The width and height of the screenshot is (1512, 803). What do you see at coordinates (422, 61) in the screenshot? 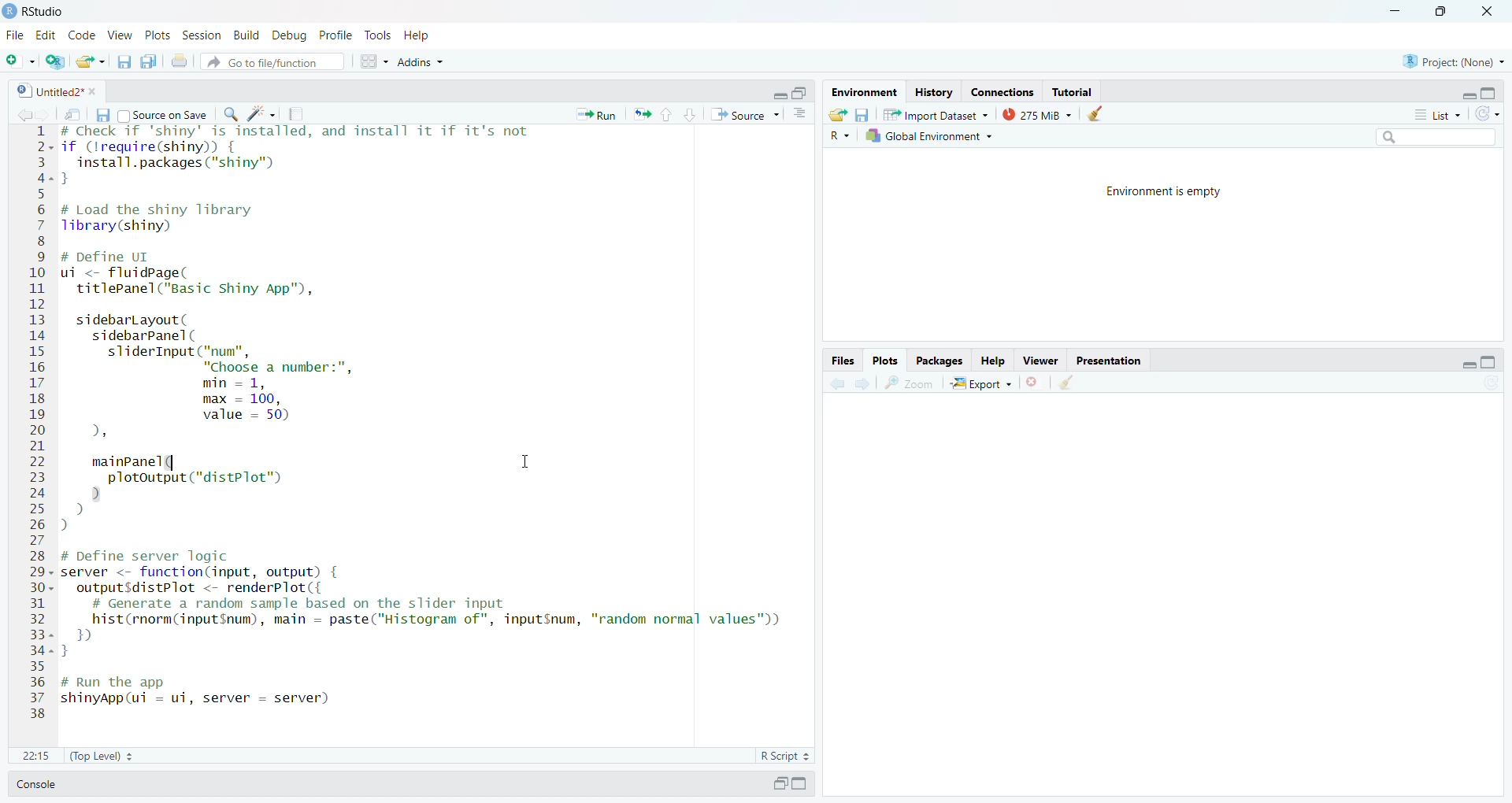
I see `Addins` at bounding box center [422, 61].